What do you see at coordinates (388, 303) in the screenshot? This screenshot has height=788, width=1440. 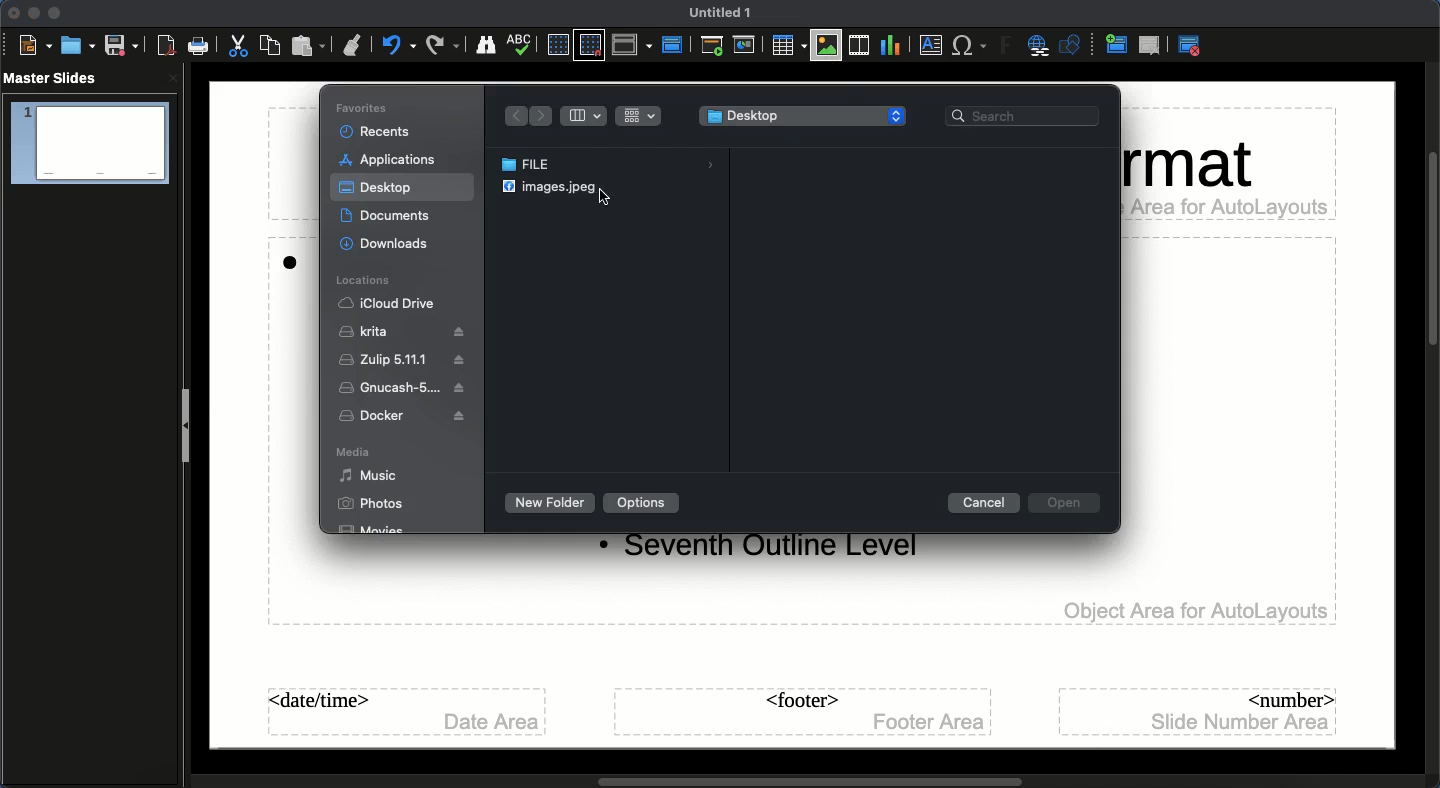 I see `iCloud Drive` at bounding box center [388, 303].